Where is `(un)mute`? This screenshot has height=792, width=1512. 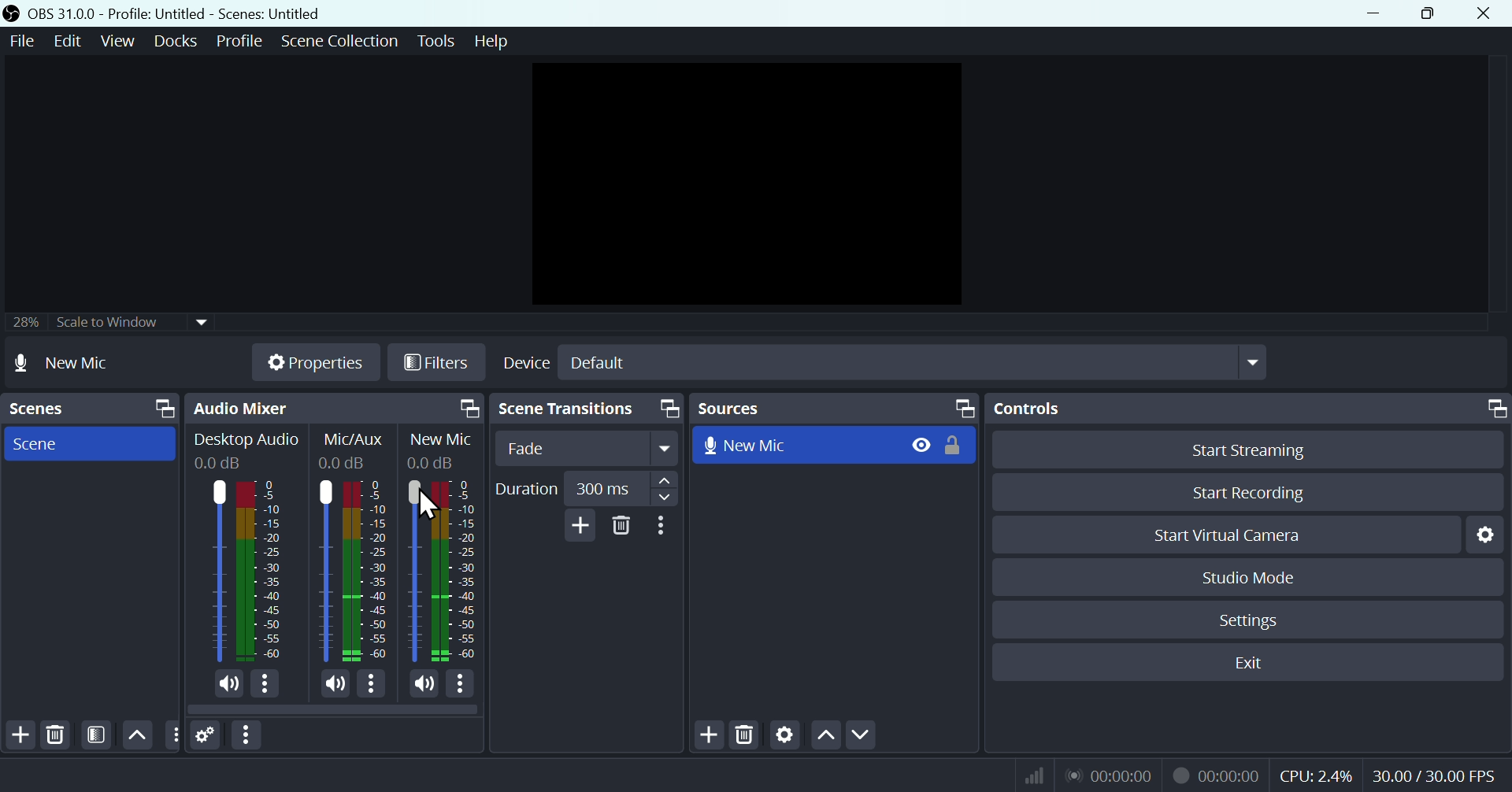
(un)mute is located at coordinates (227, 684).